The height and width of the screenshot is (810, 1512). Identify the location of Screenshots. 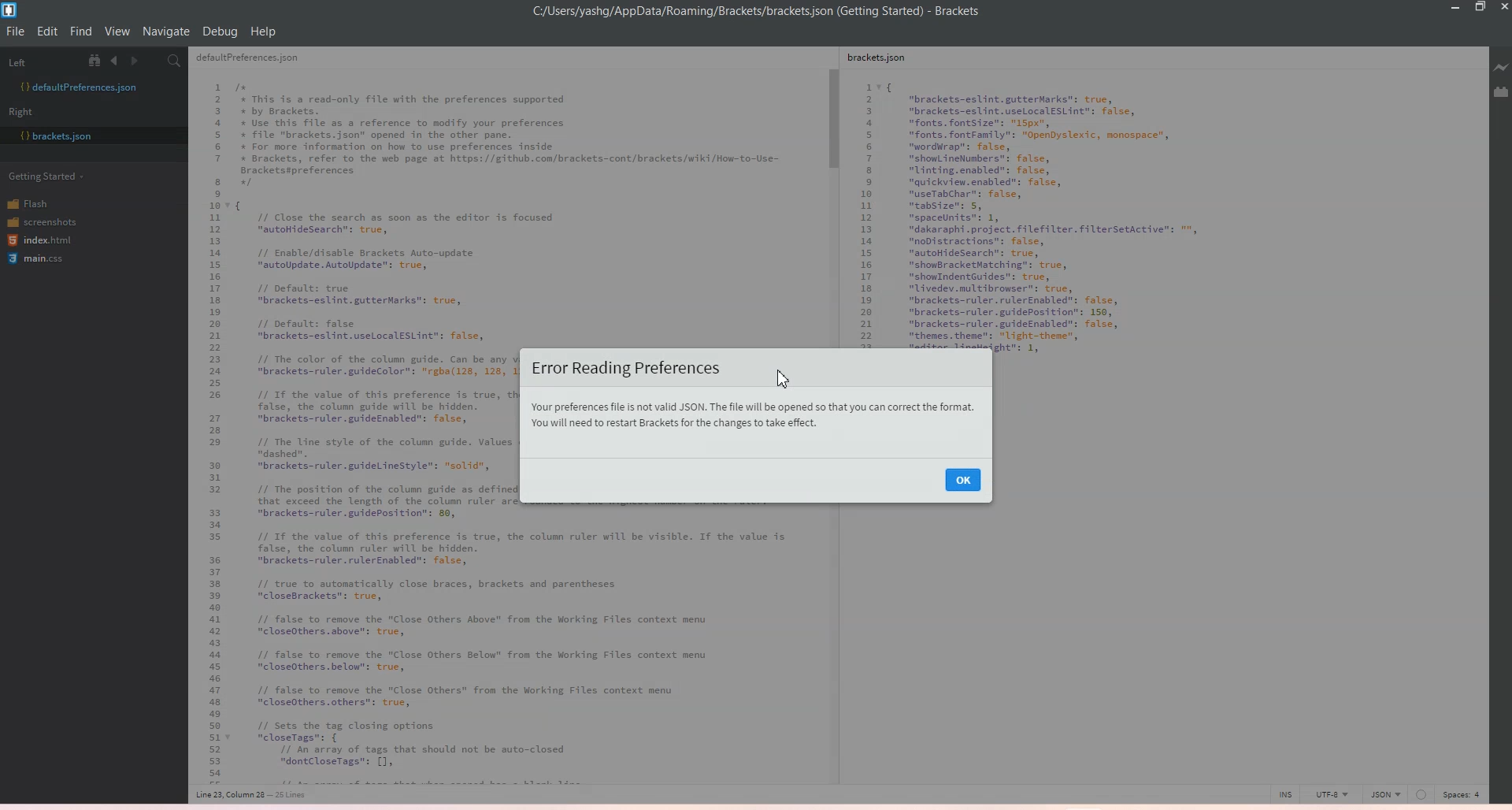
(42, 221).